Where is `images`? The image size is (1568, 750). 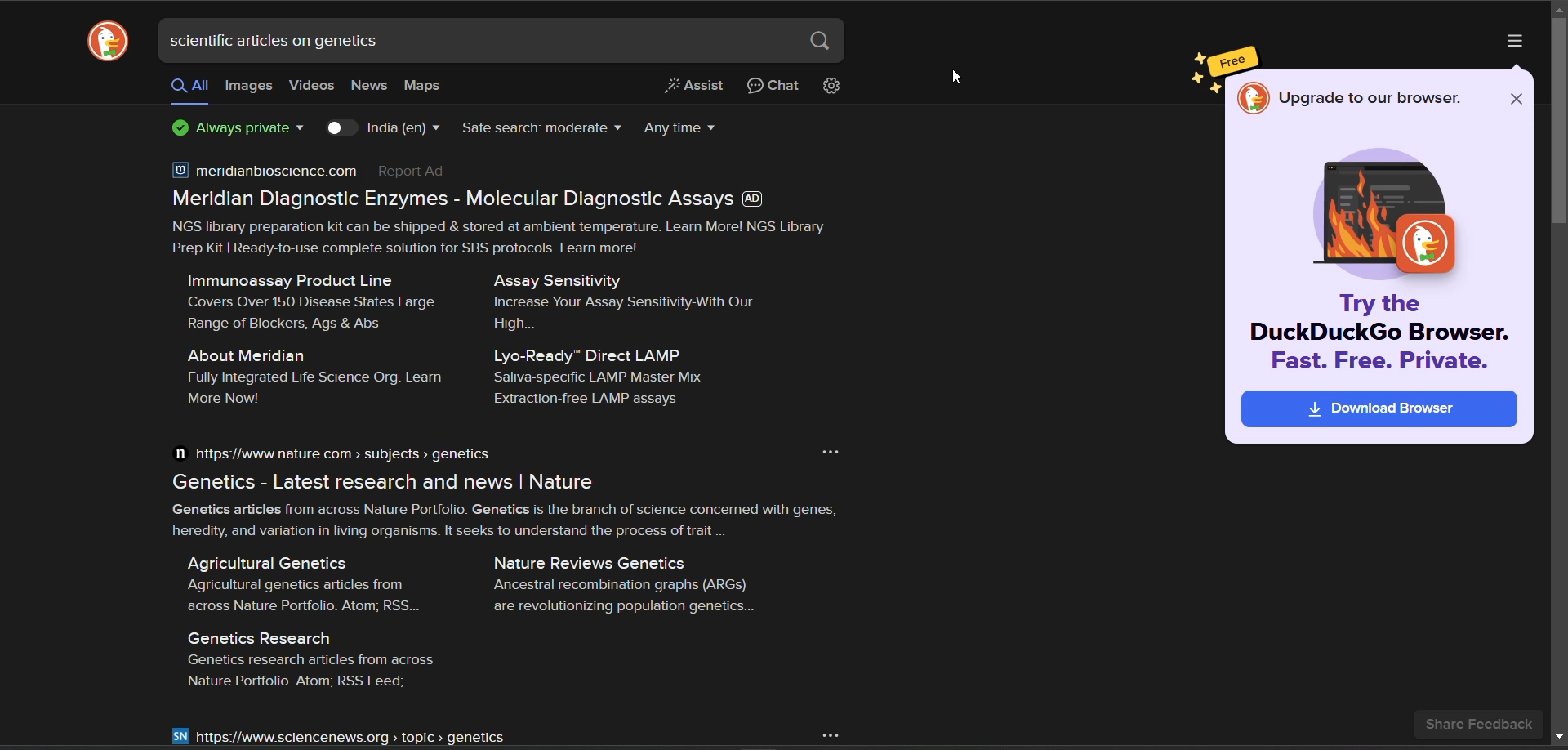
images is located at coordinates (248, 87).